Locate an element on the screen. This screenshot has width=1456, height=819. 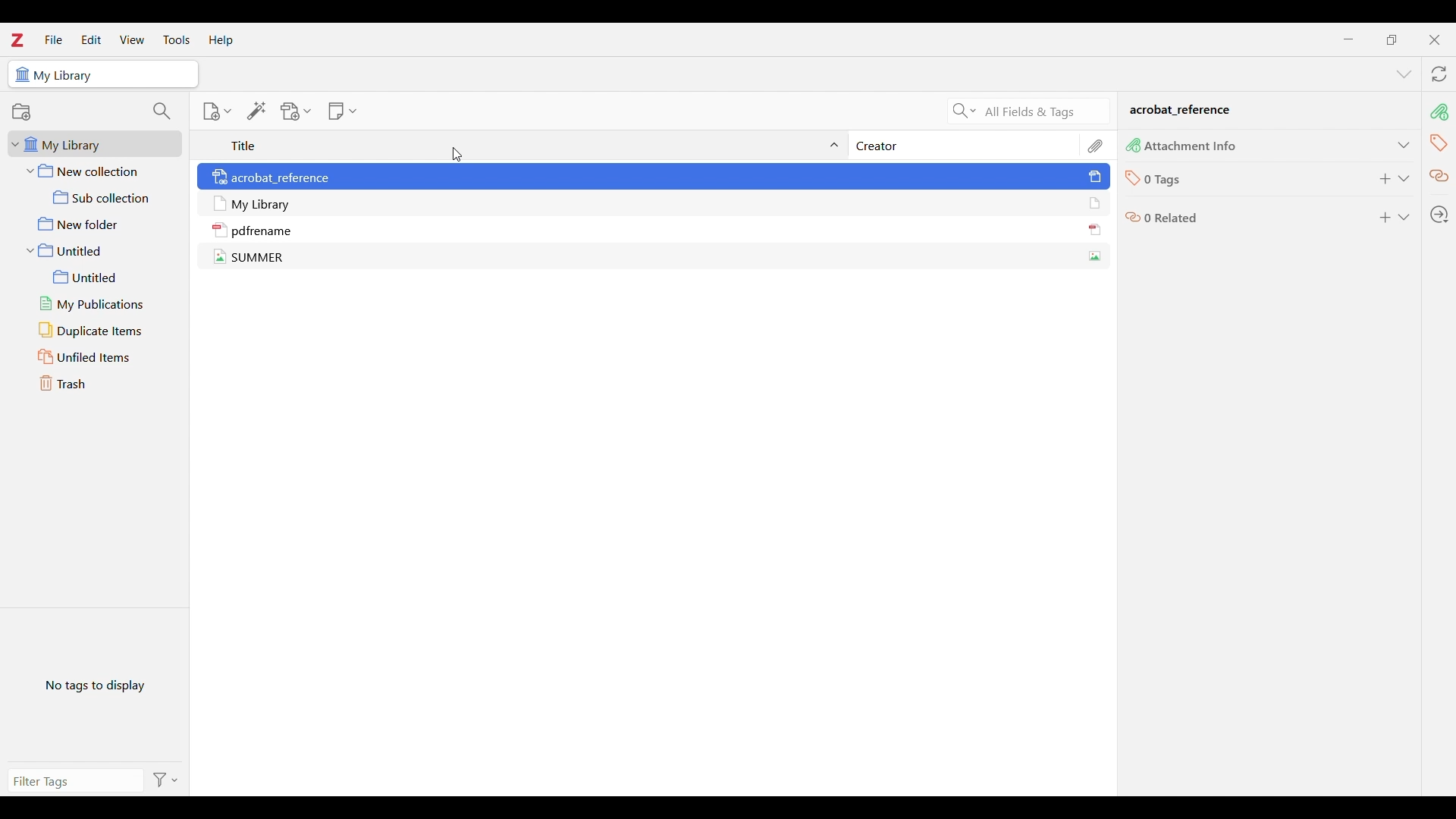
Untitled sub folder is located at coordinates (100, 278).